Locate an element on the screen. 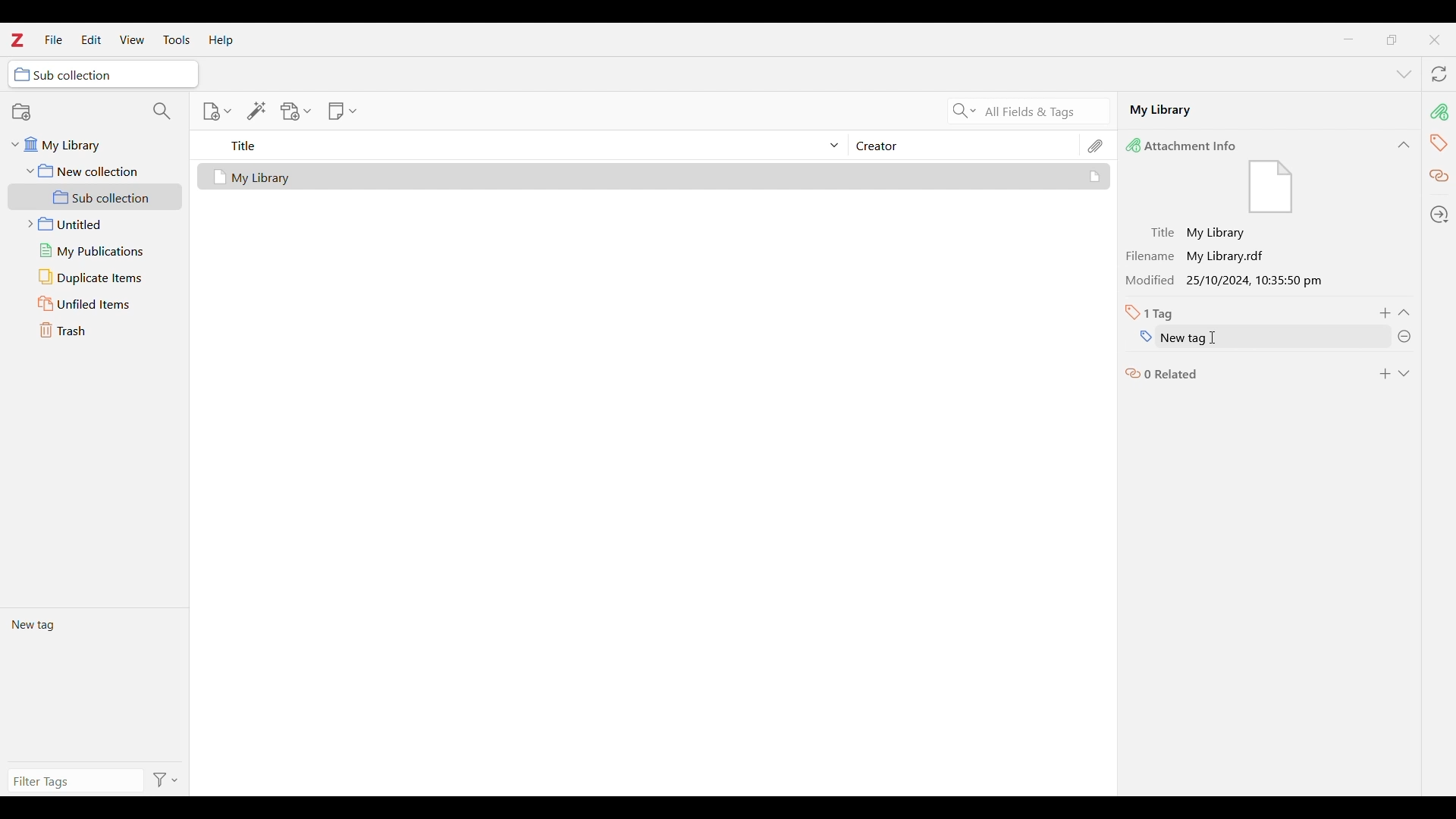 Image resolution: width=1456 pixels, height=819 pixels. Show interface in a smaller tab is located at coordinates (1392, 39).